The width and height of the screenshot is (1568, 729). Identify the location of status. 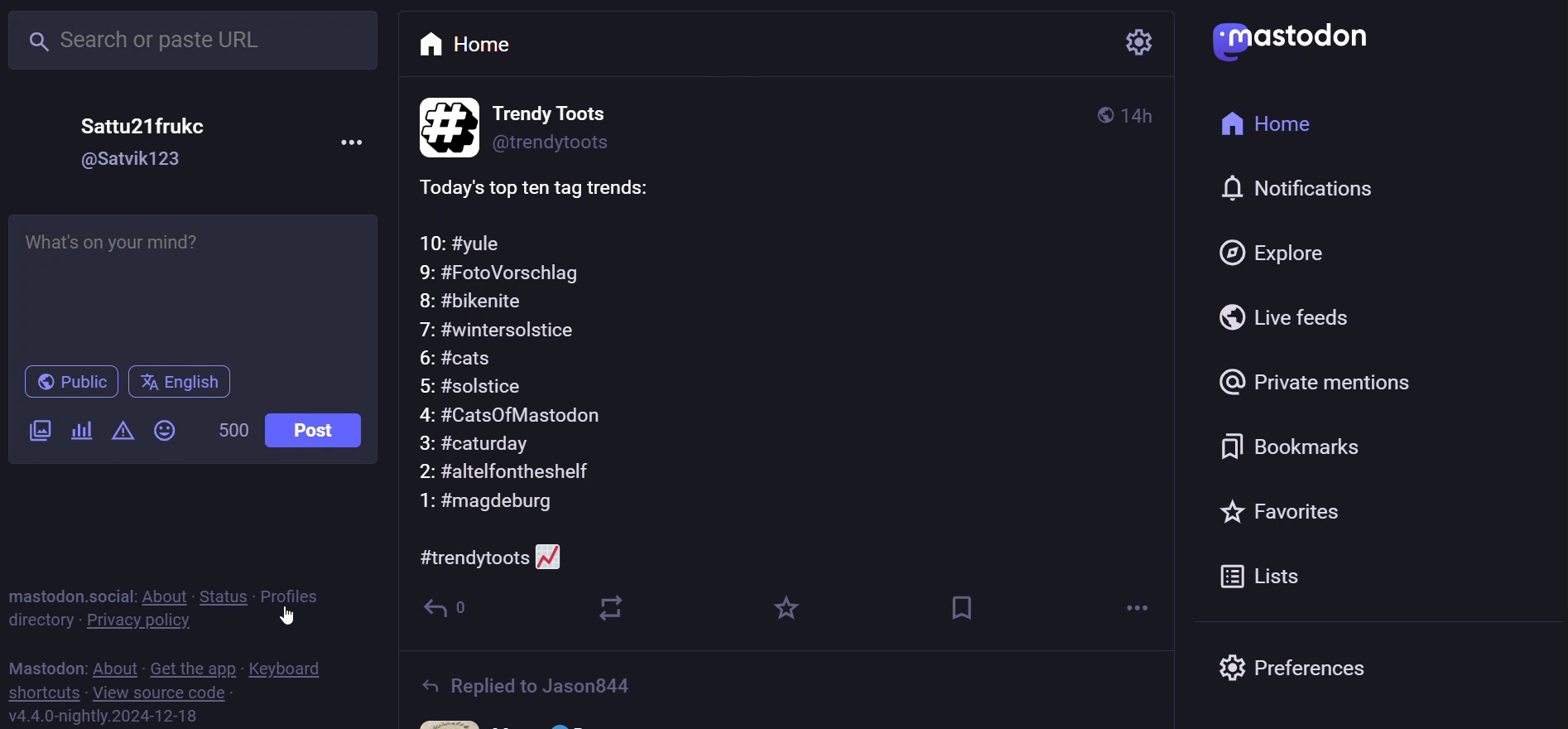
(219, 594).